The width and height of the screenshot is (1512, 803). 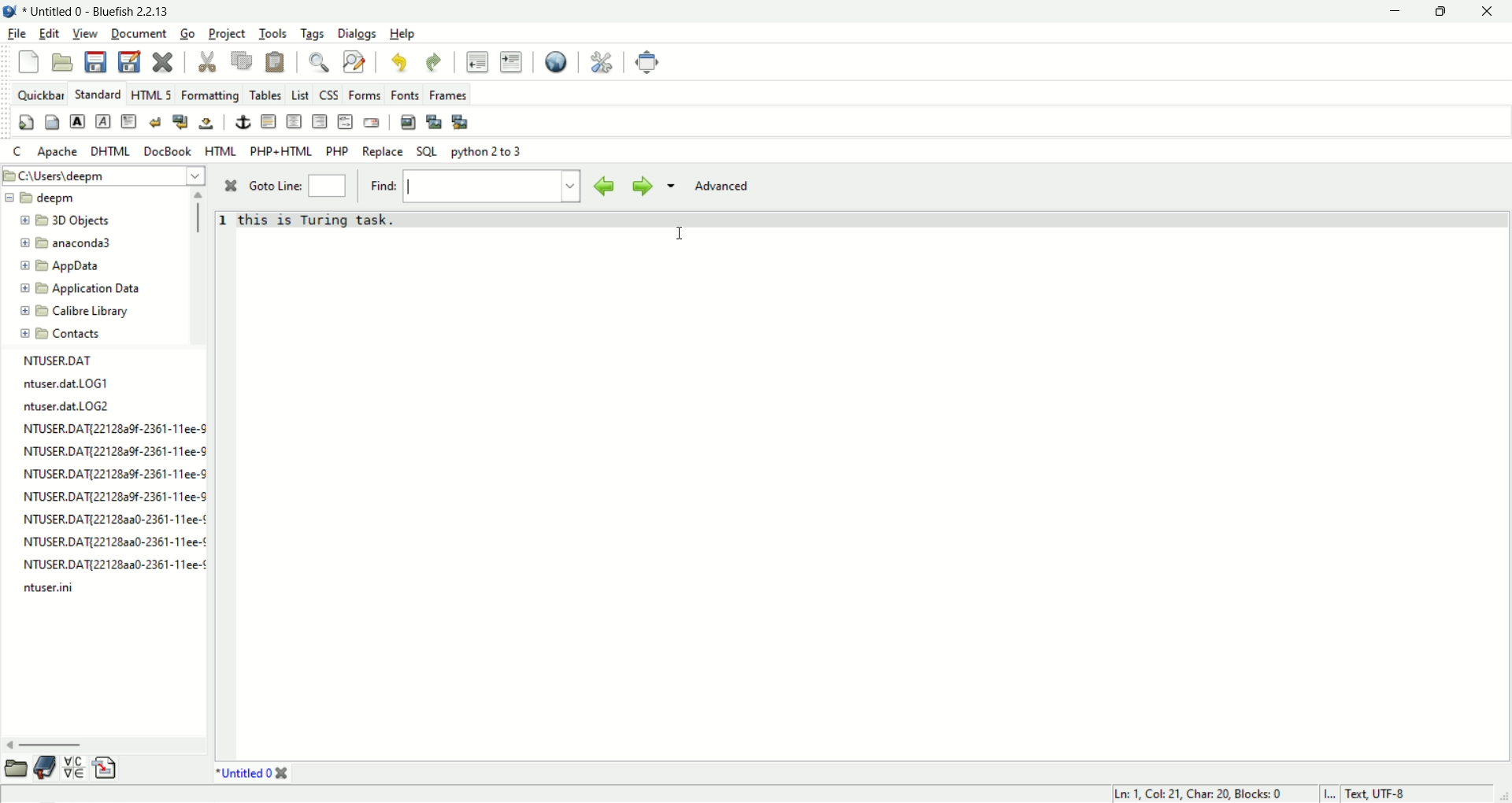 I want to click on find and replace, so click(x=354, y=62).